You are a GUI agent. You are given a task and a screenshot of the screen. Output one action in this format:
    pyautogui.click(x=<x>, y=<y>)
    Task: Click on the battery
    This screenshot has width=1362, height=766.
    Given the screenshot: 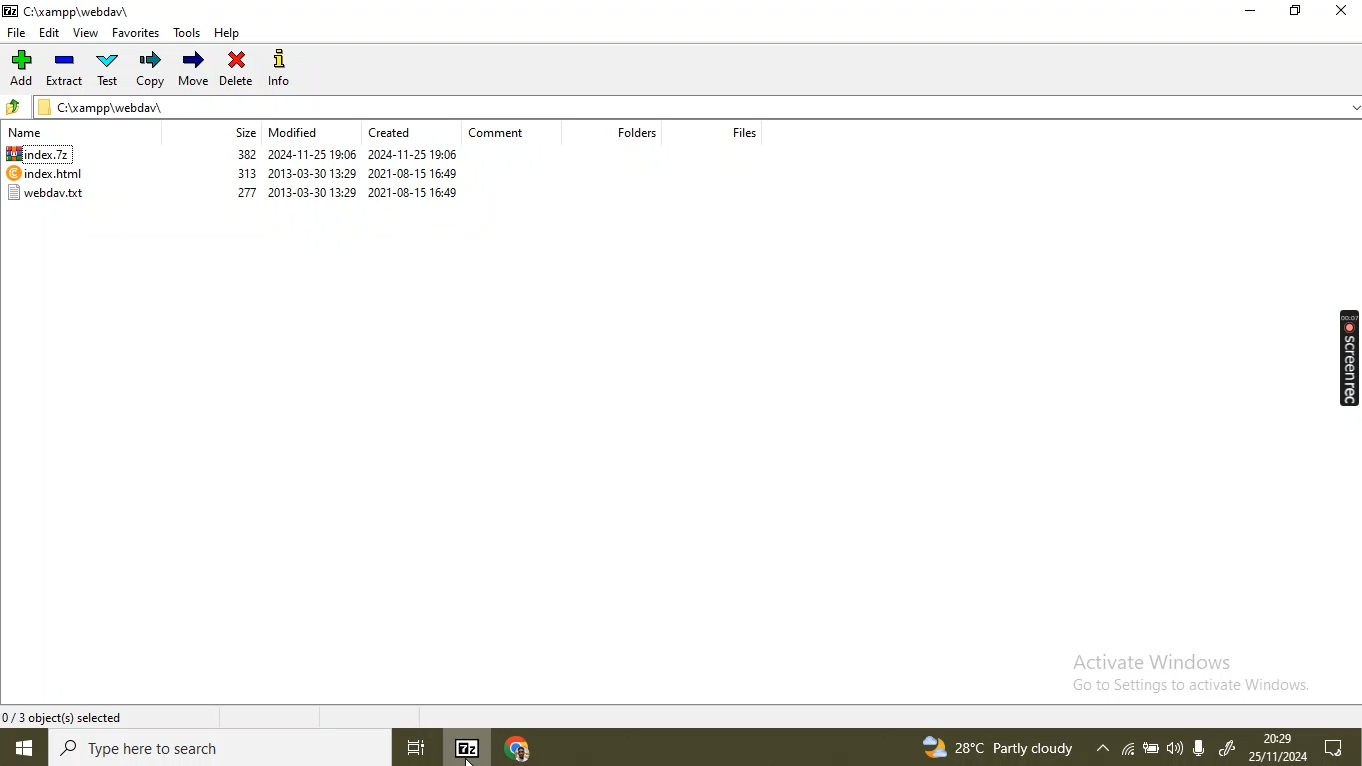 What is the action you would take?
    pyautogui.click(x=1150, y=752)
    